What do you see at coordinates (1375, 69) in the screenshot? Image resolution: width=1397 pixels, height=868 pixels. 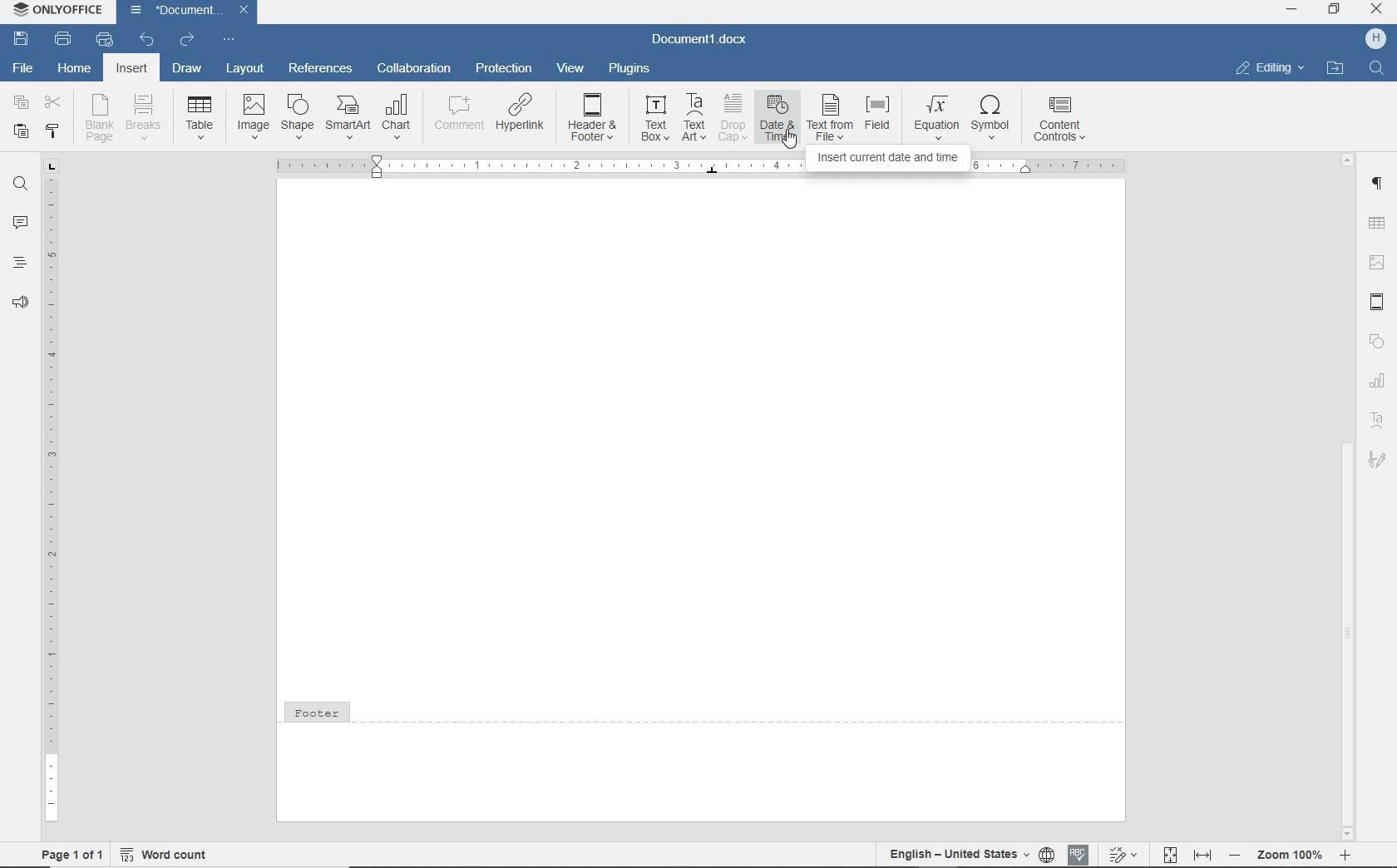 I see `find` at bounding box center [1375, 69].